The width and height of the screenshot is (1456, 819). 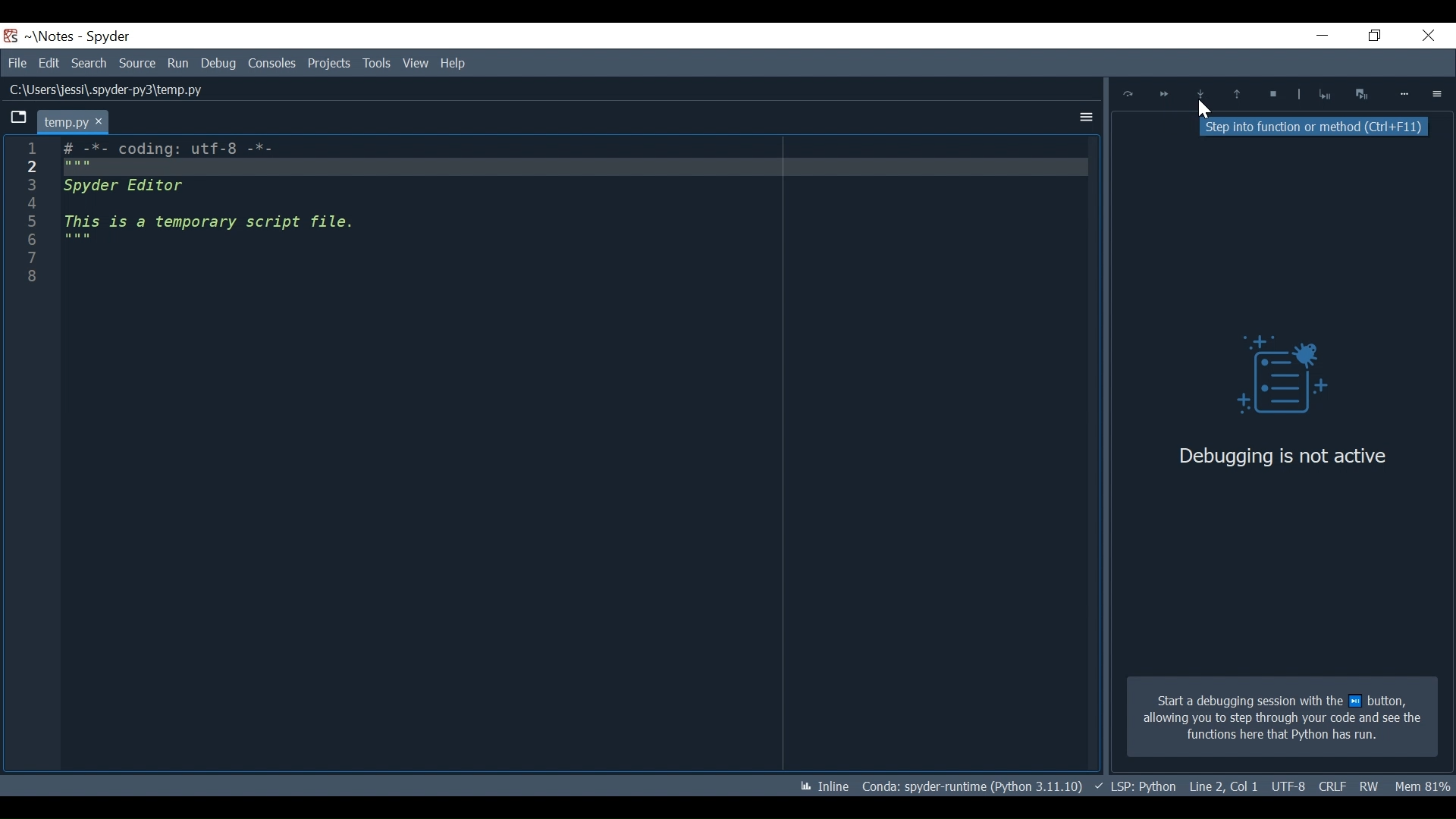 What do you see at coordinates (1332, 786) in the screenshot?
I see `File Encoding` at bounding box center [1332, 786].